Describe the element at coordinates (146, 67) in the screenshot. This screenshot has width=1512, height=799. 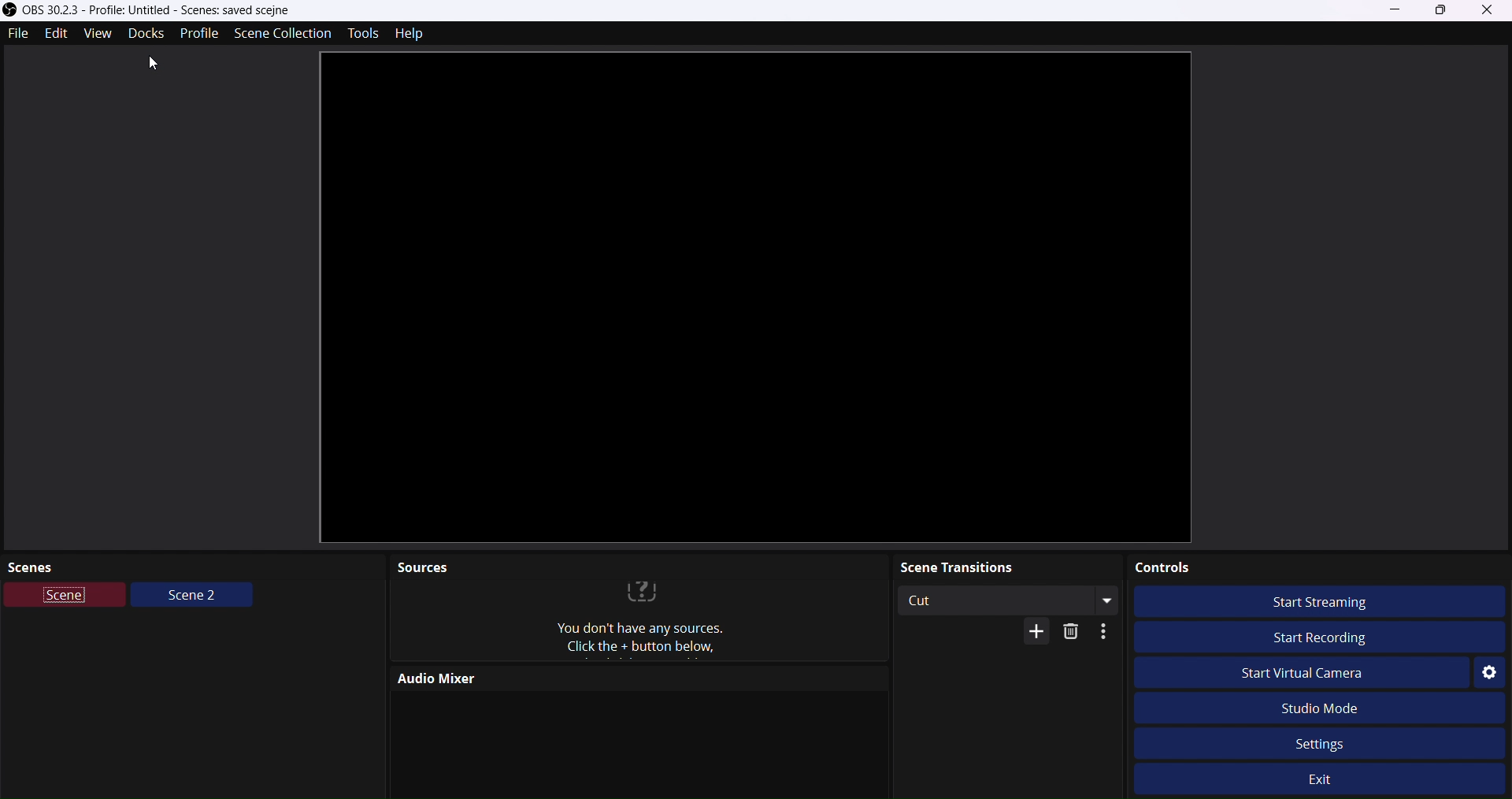
I see `cursor` at that location.